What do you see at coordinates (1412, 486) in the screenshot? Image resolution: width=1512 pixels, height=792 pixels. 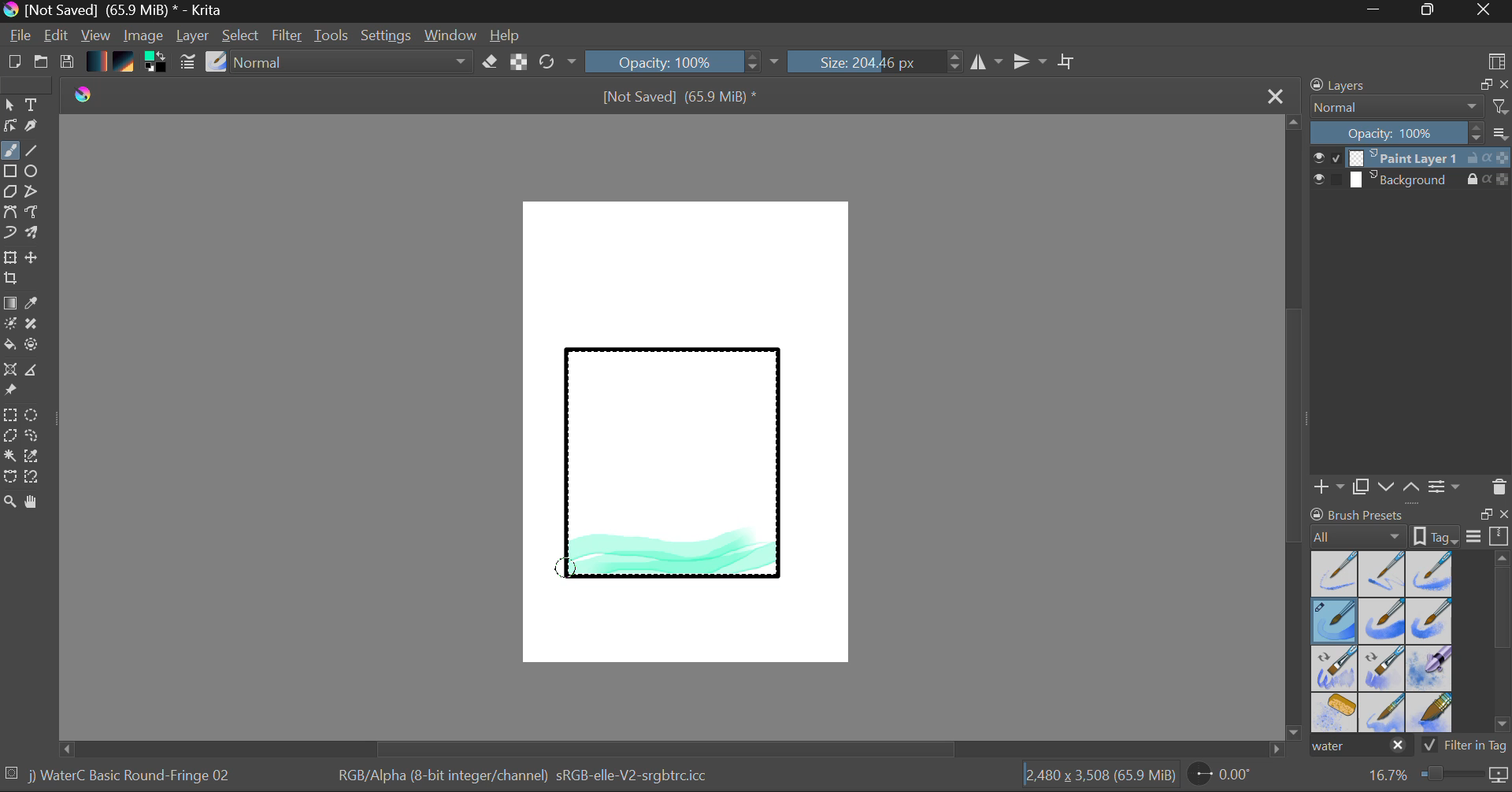 I see `Move Layer Up` at bounding box center [1412, 486].